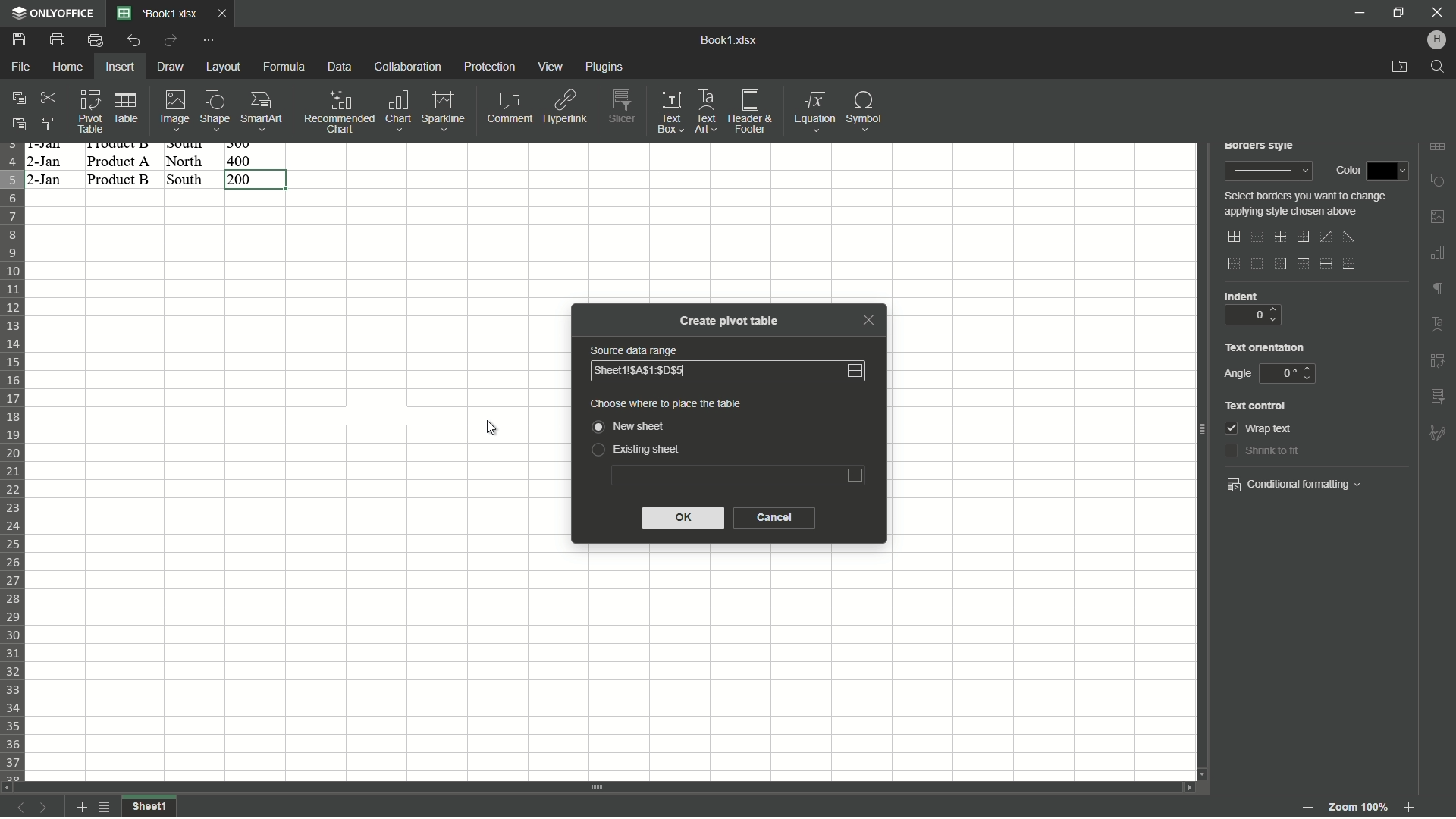 The image size is (1456, 819). What do you see at coordinates (599, 786) in the screenshot?
I see `scroll bar` at bounding box center [599, 786].